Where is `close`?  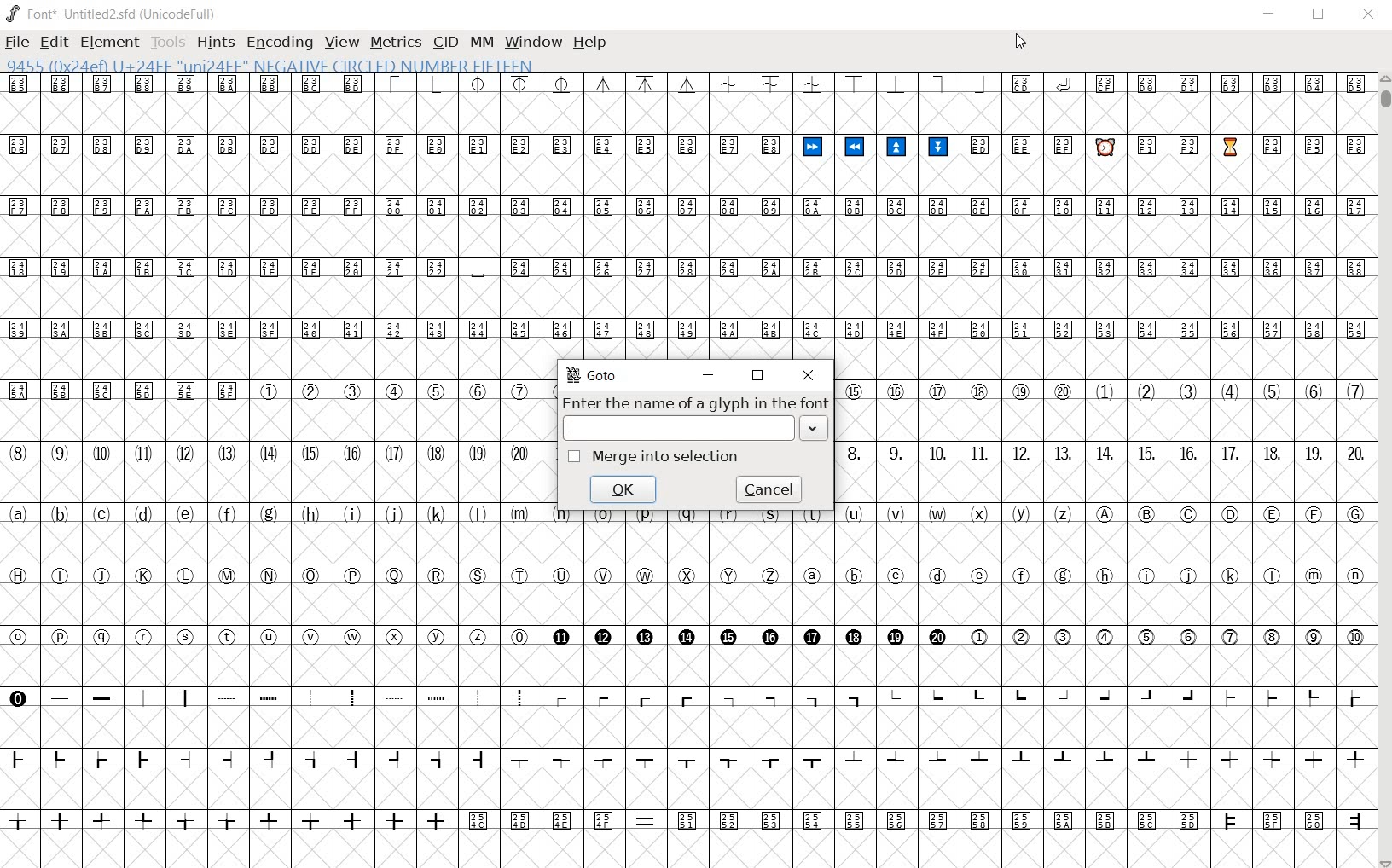 close is located at coordinates (809, 374).